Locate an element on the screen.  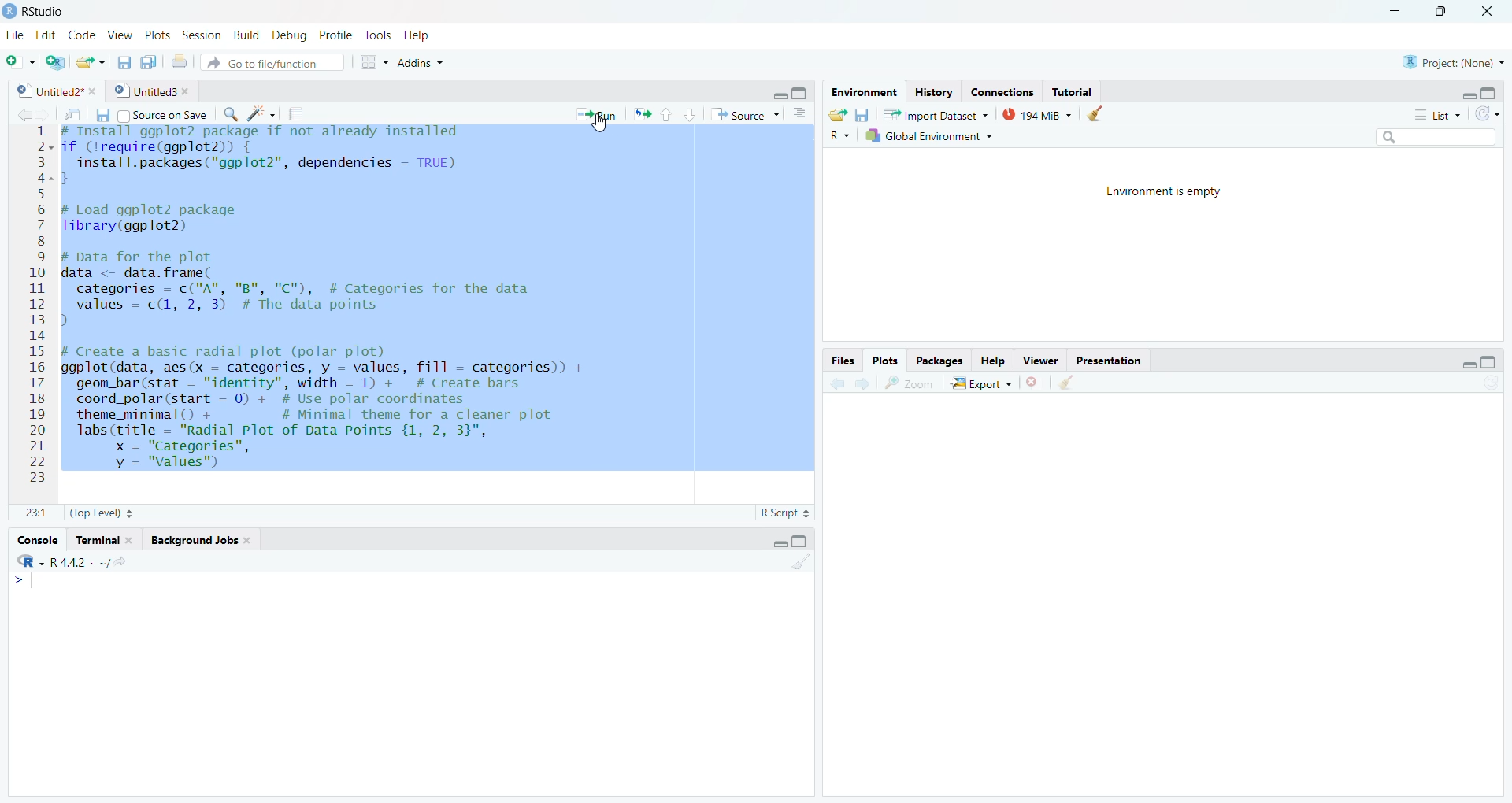
Build is located at coordinates (244, 35).